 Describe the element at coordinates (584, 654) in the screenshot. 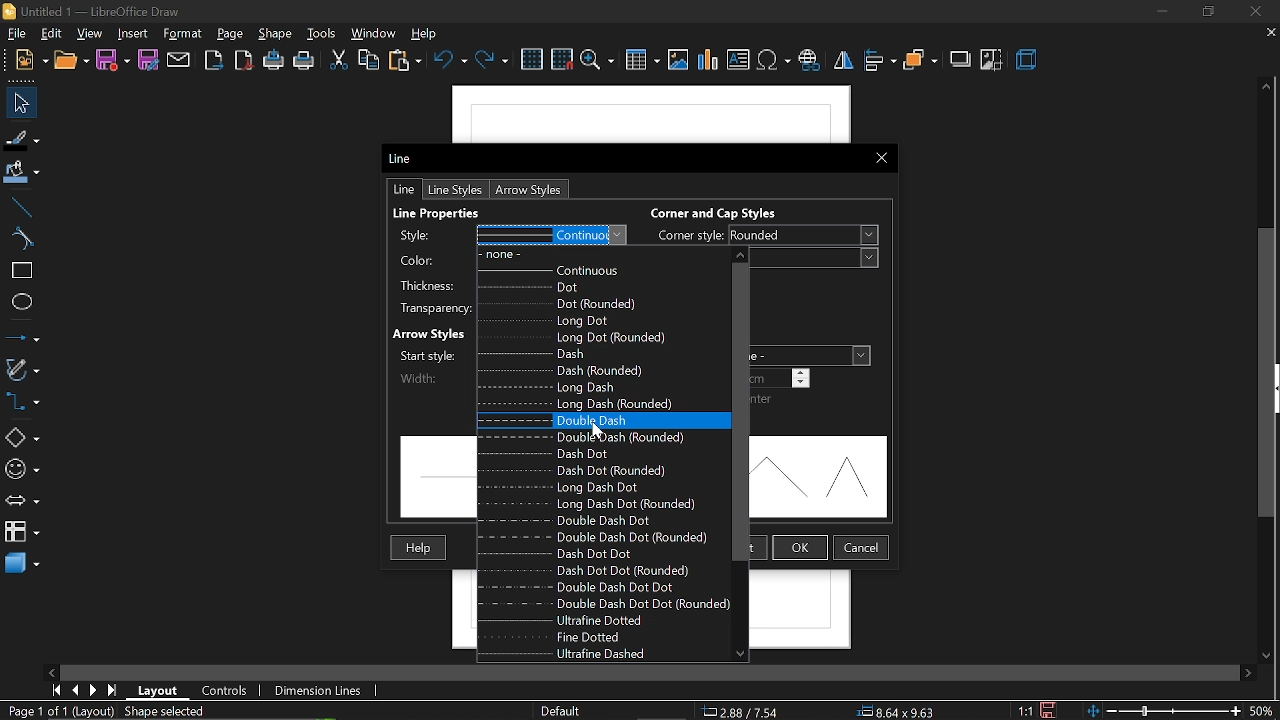

I see `Ultrafine dashed` at that location.